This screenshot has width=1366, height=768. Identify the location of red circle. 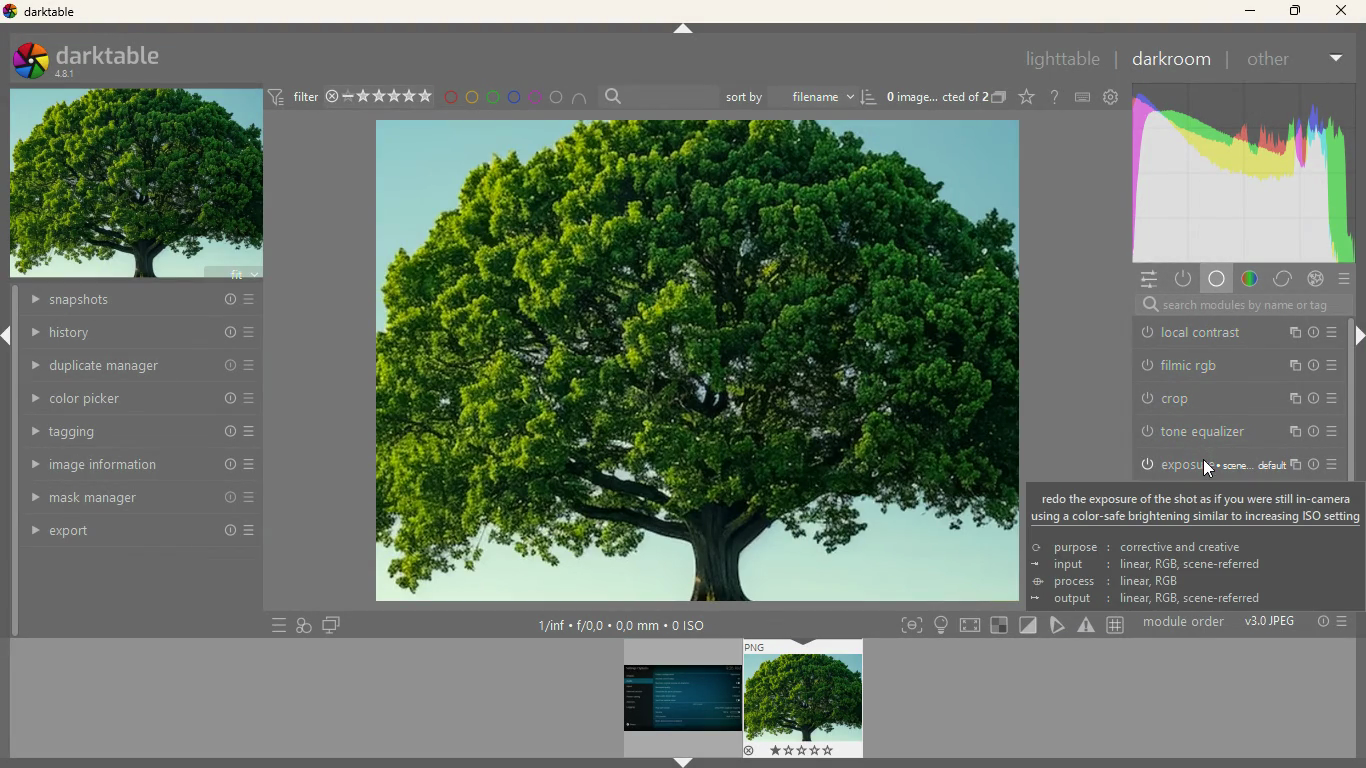
(450, 98).